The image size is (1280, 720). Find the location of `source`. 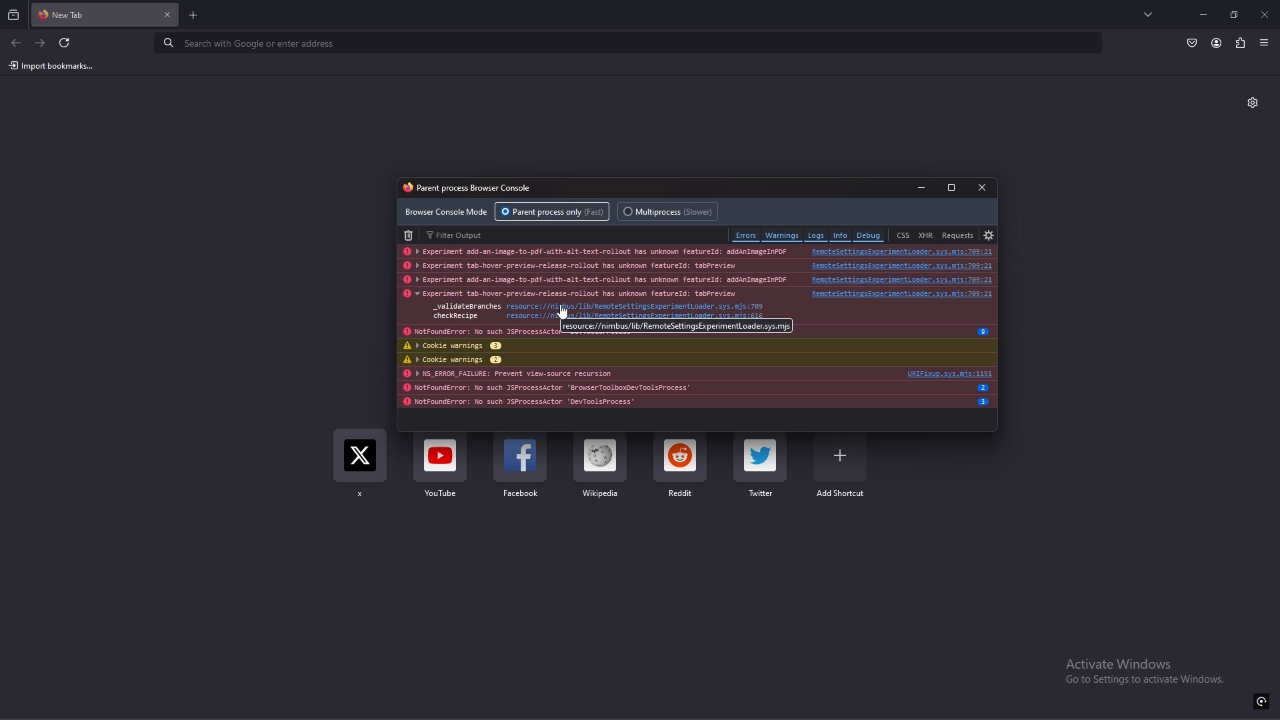

source is located at coordinates (950, 374).